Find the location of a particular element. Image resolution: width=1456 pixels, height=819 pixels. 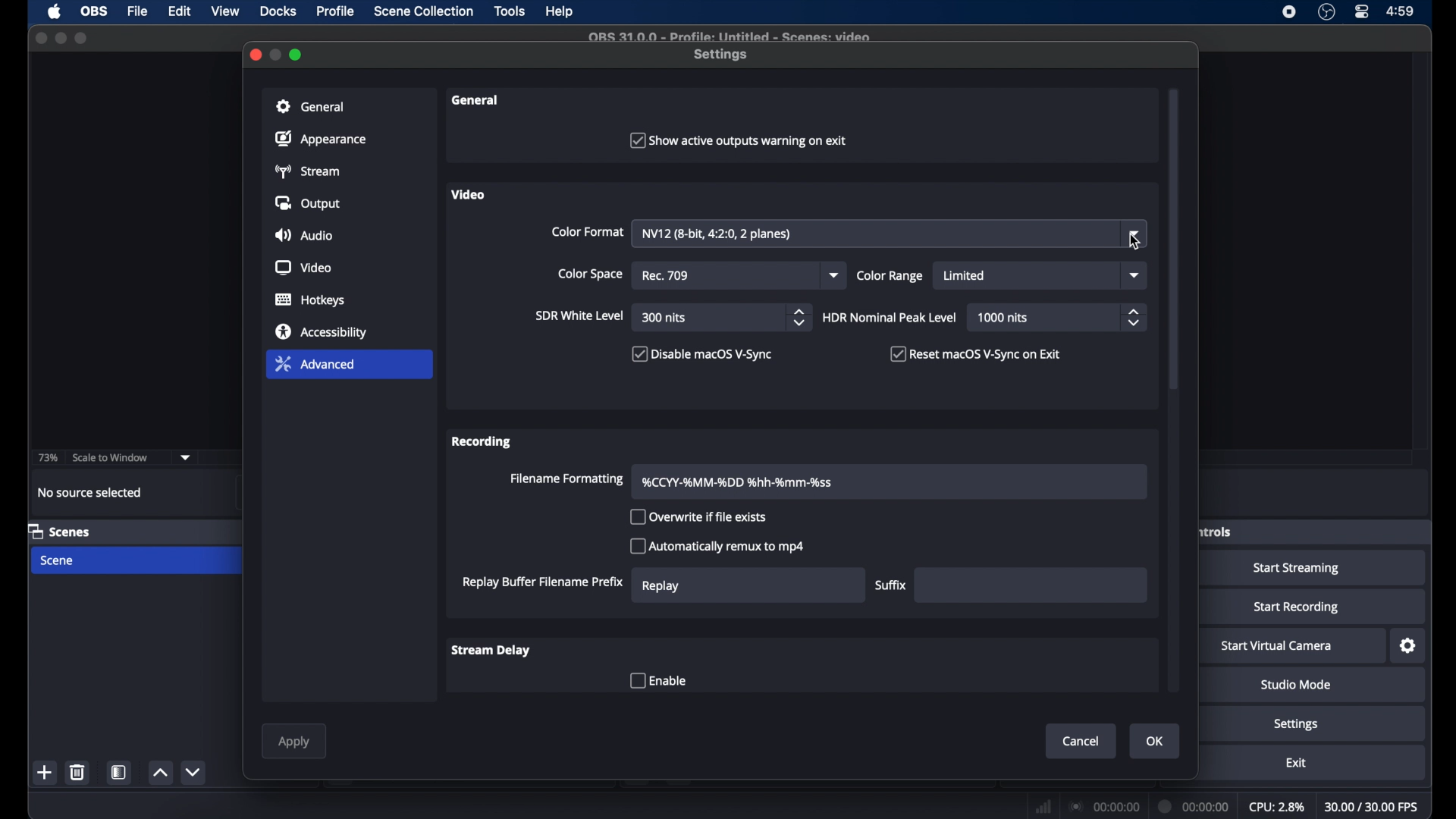

OBS 31.0.0 - Profile: Untitled - Scenes: video is located at coordinates (733, 36).